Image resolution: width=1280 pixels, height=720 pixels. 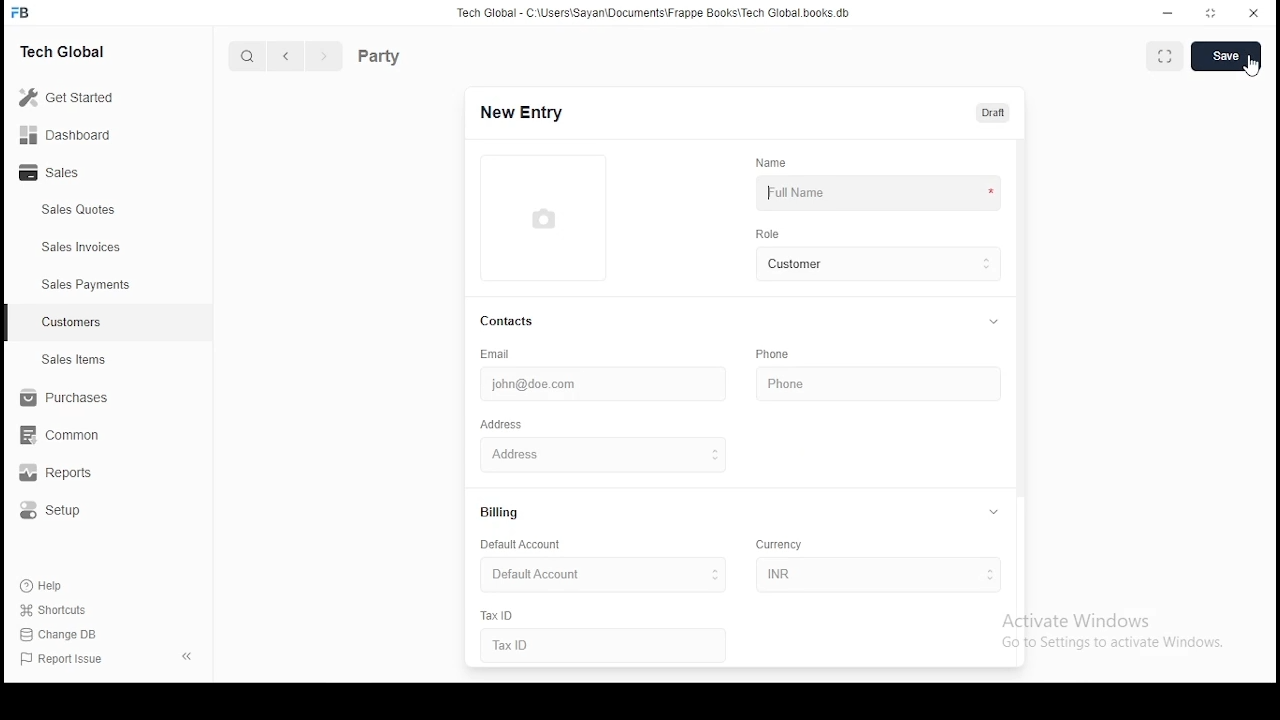 I want to click on common, so click(x=59, y=437).